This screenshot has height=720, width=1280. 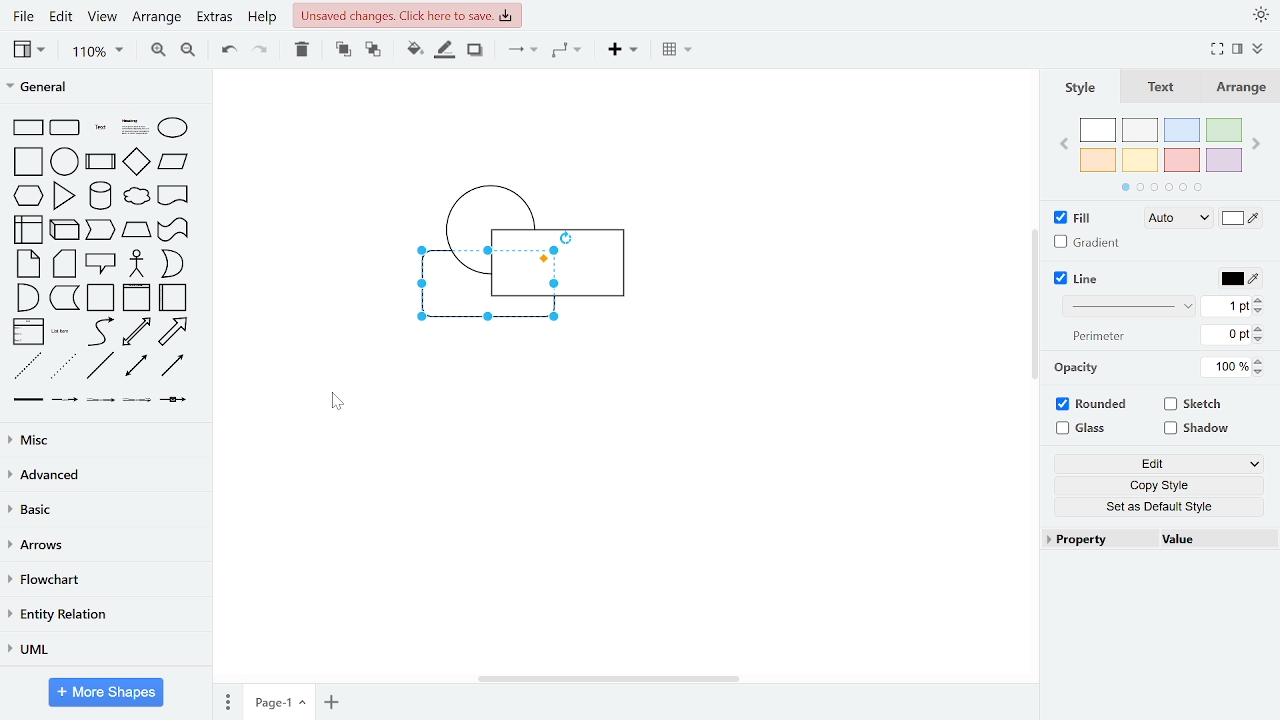 I want to click on red, so click(x=1181, y=160).